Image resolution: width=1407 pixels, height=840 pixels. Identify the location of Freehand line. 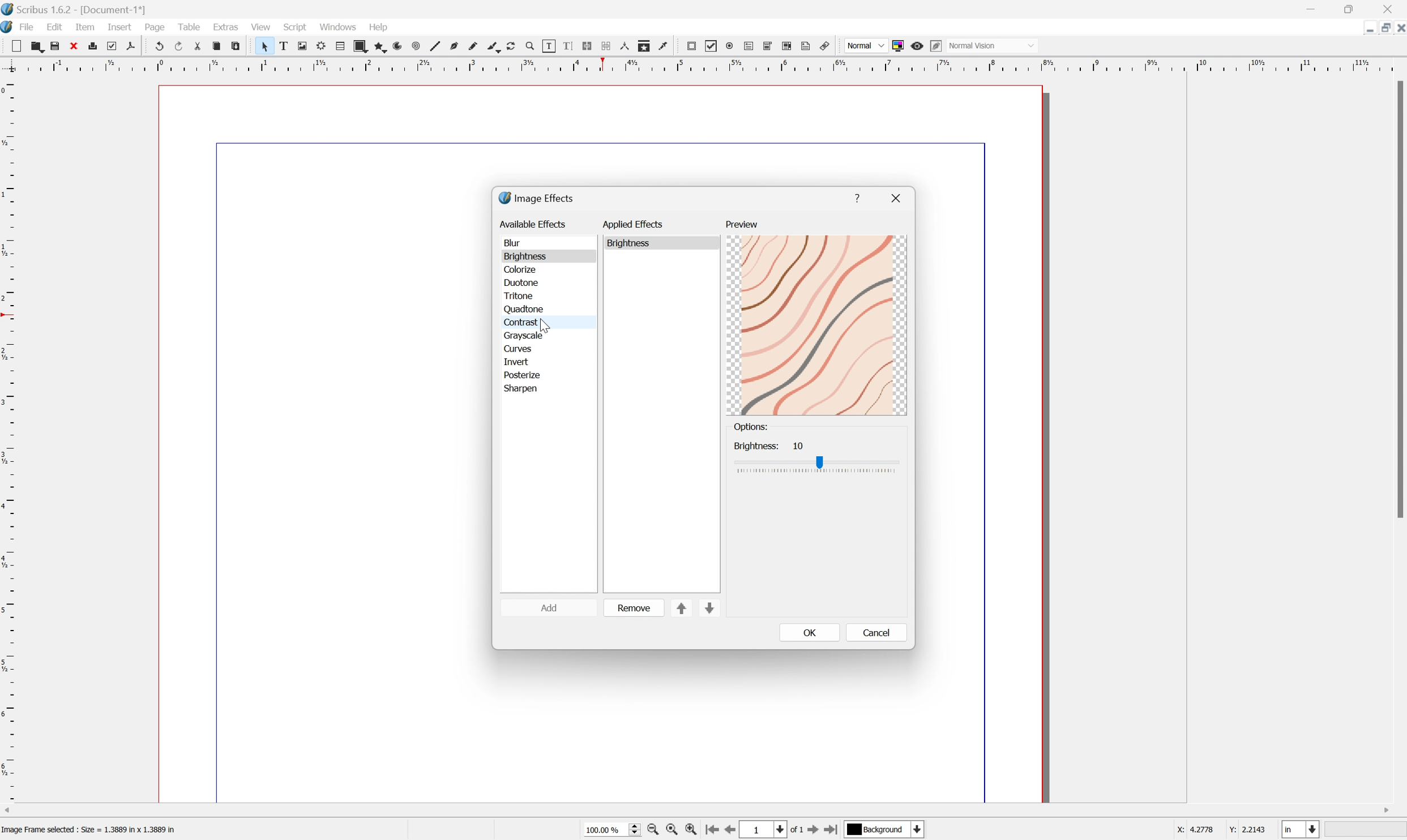
(476, 44).